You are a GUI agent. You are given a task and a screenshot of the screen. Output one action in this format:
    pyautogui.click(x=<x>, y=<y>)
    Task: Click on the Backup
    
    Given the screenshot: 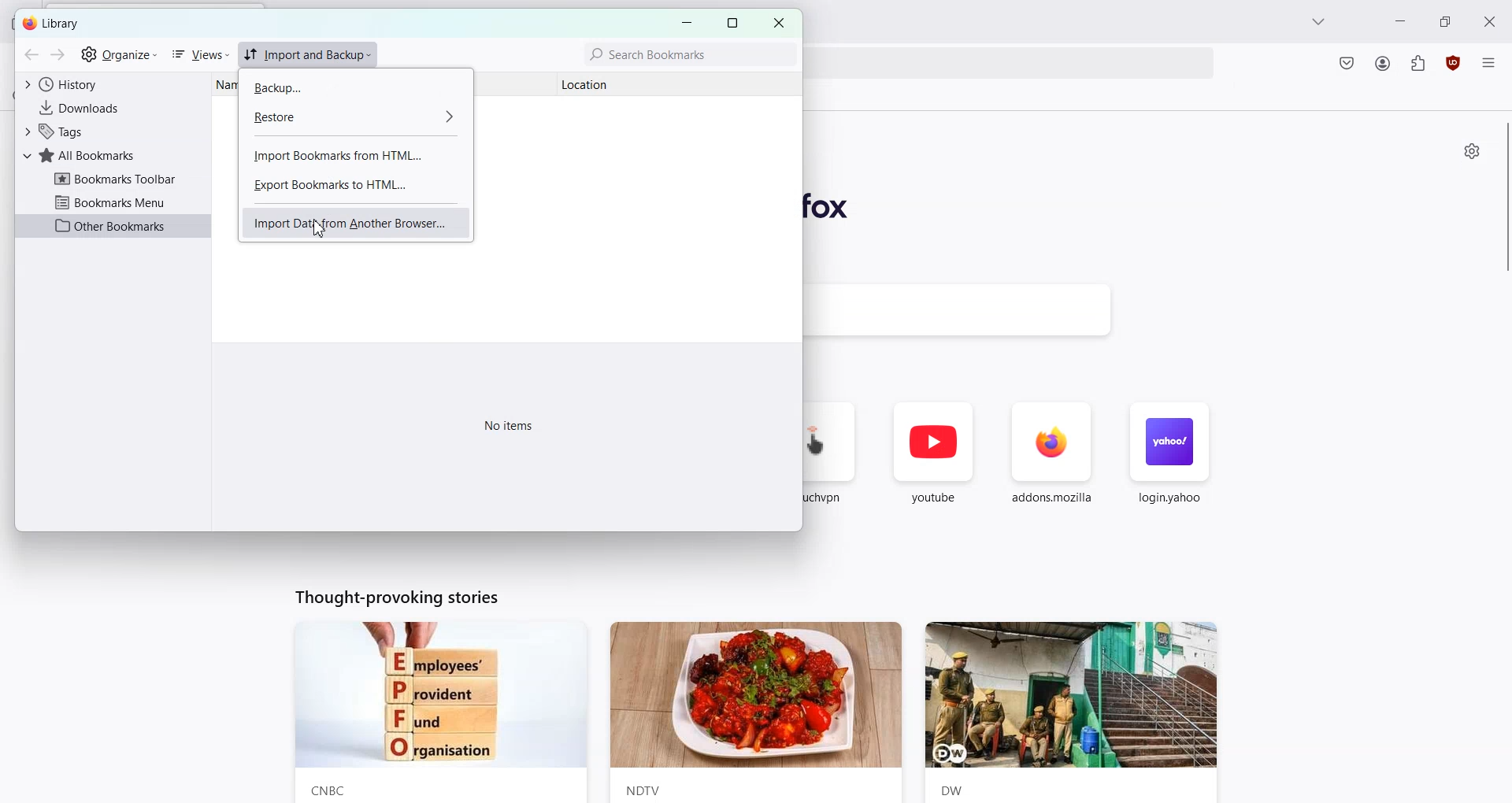 What is the action you would take?
    pyautogui.click(x=349, y=87)
    